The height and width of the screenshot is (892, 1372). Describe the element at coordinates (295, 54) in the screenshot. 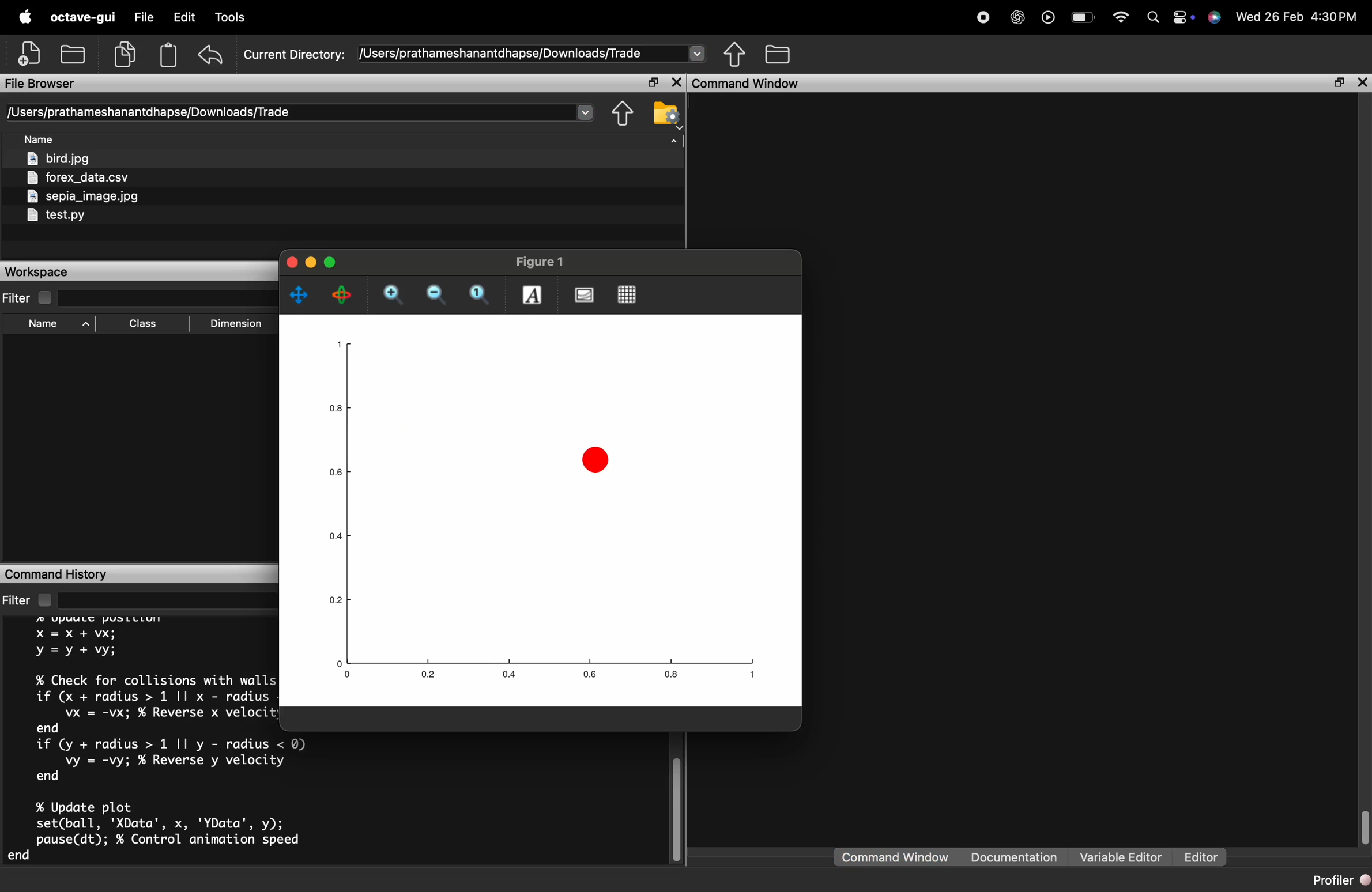

I see `Current Directory:` at that location.